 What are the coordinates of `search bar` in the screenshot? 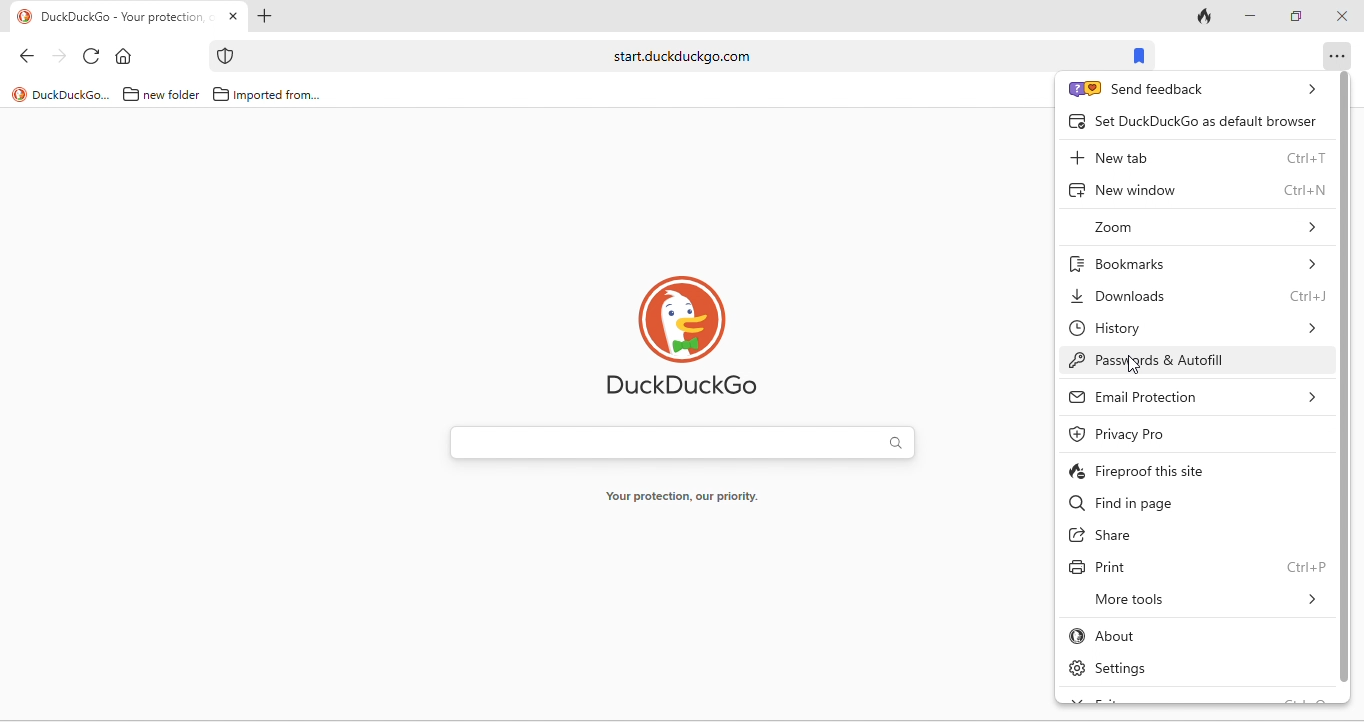 It's located at (679, 438).